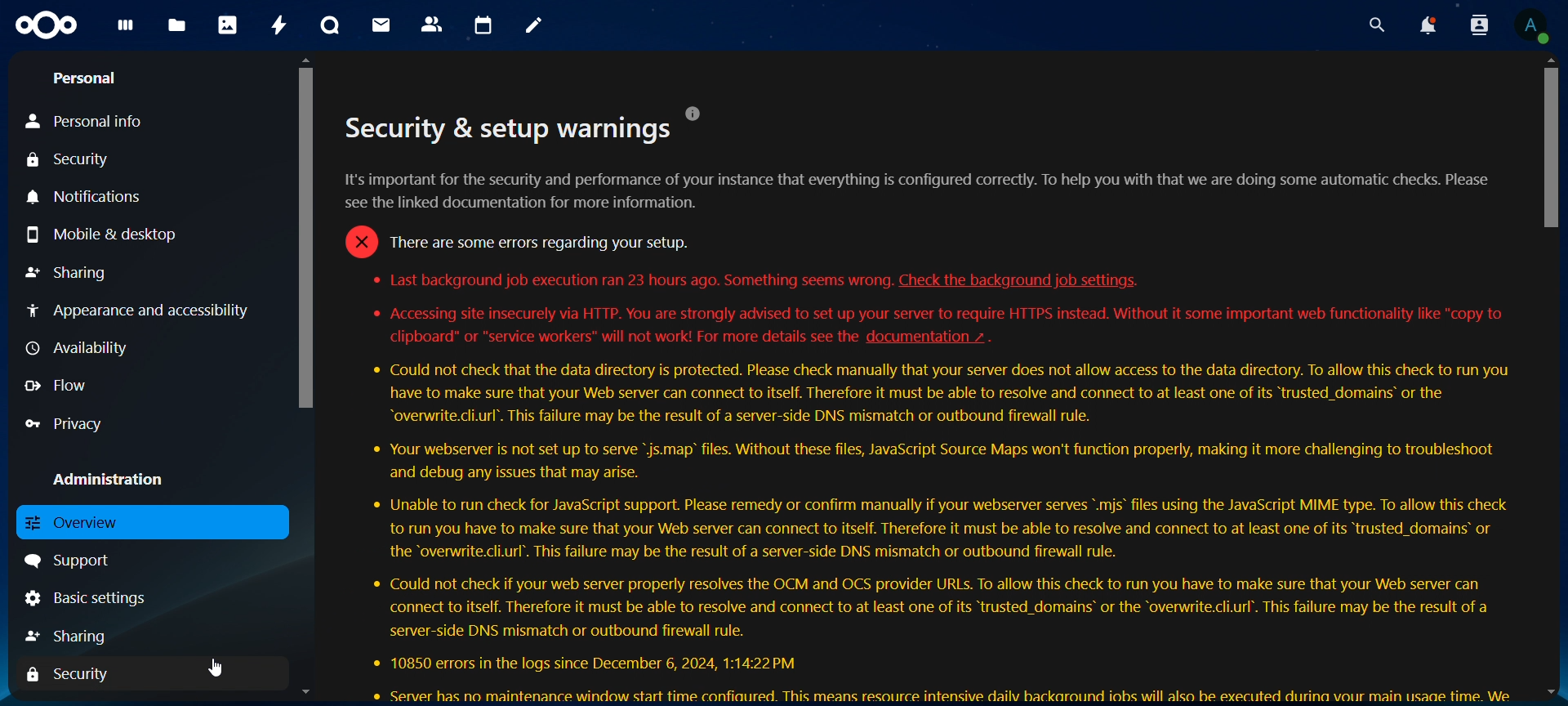 This screenshot has height=706, width=1568. Describe the element at coordinates (96, 198) in the screenshot. I see `notifications` at that location.